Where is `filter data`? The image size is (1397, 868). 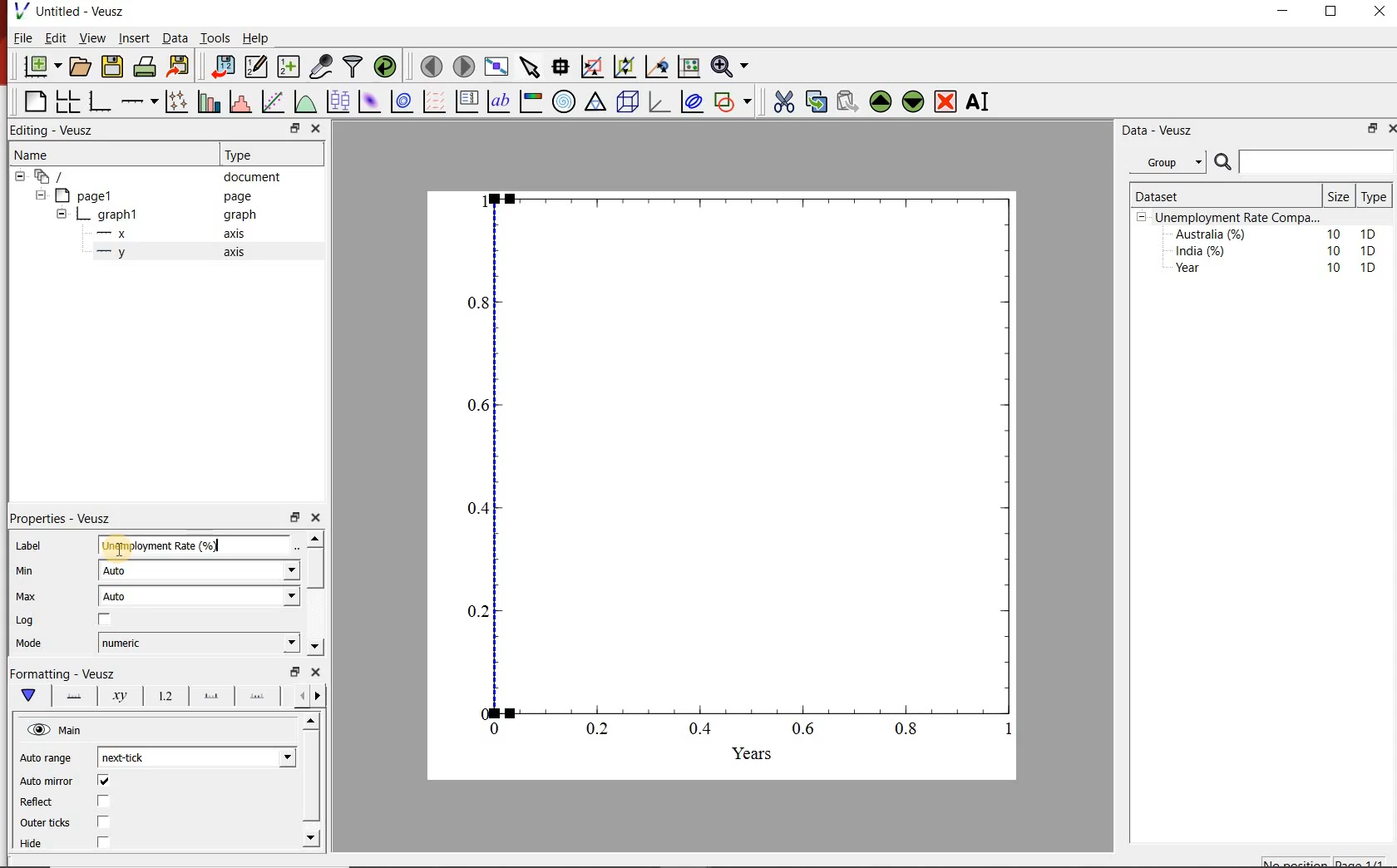 filter data is located at coordinates (352, 67).